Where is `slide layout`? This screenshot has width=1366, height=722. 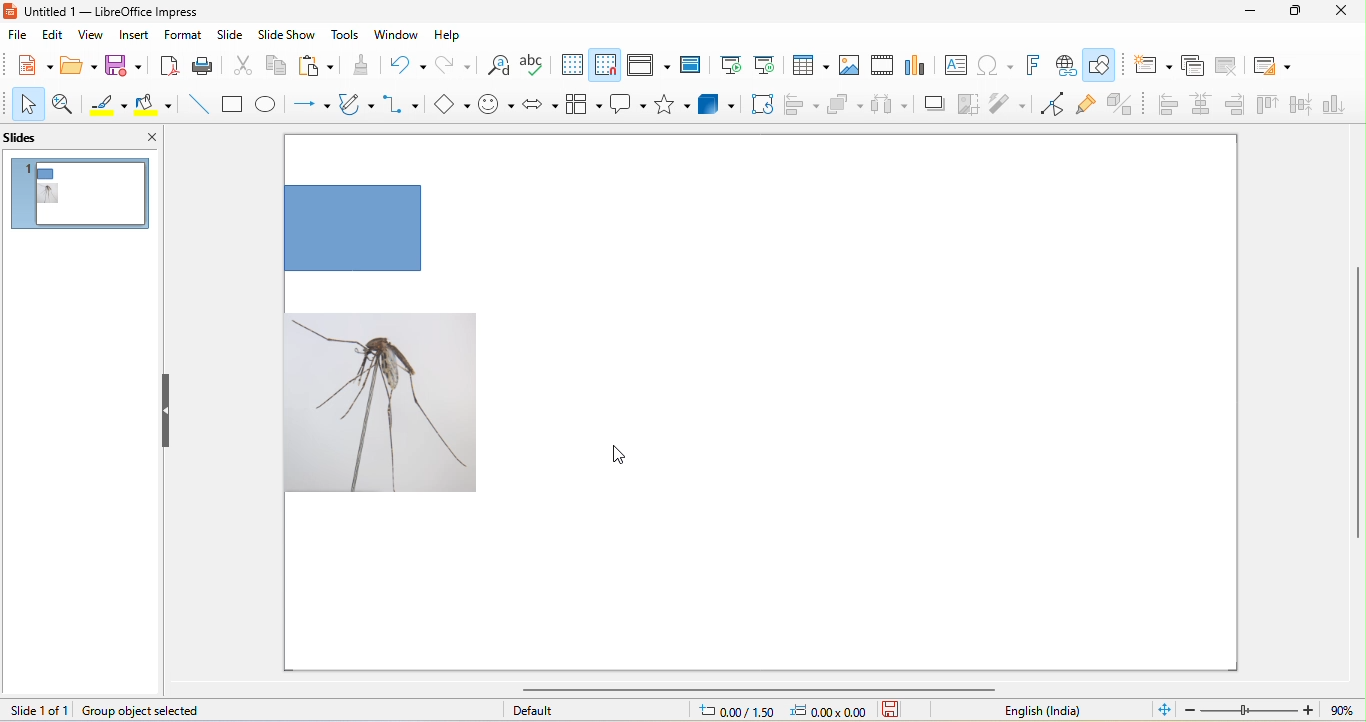 slide layout is located at coordinates (1272, 68).